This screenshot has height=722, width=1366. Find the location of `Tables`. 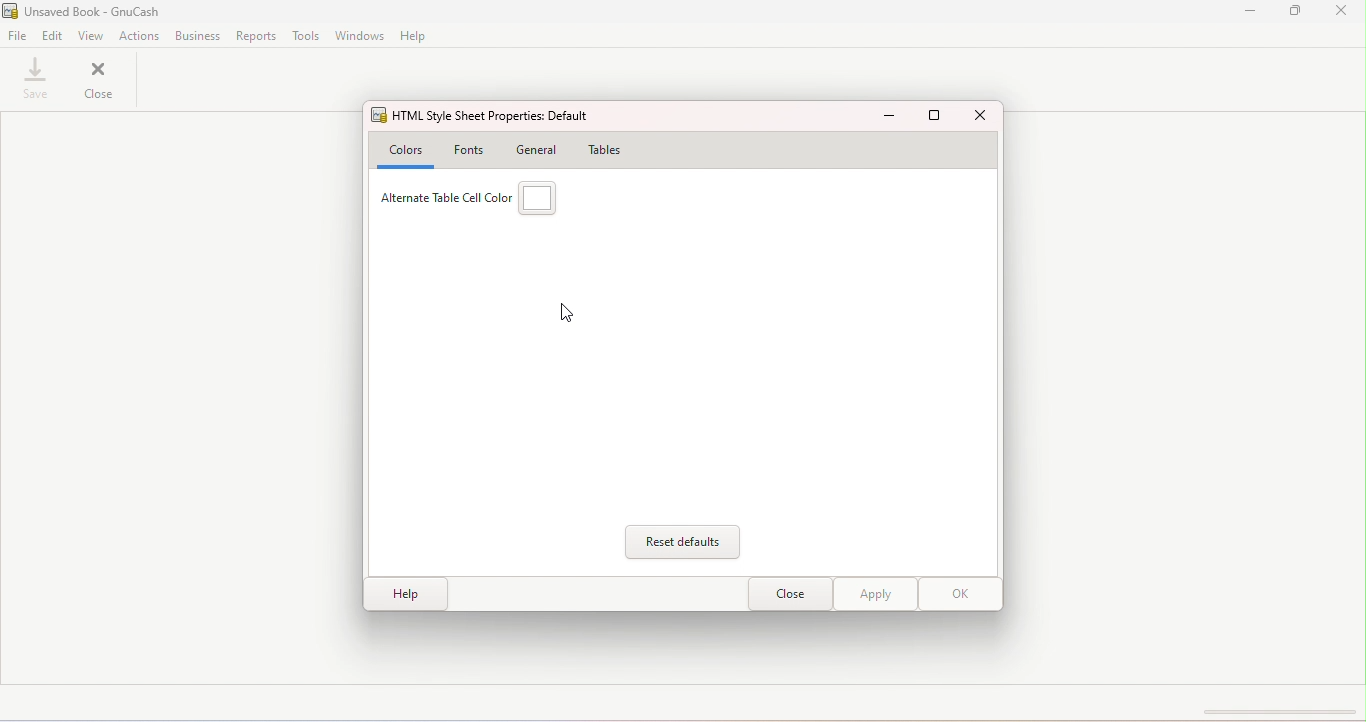

Tables is located at coordinates (604, 152).